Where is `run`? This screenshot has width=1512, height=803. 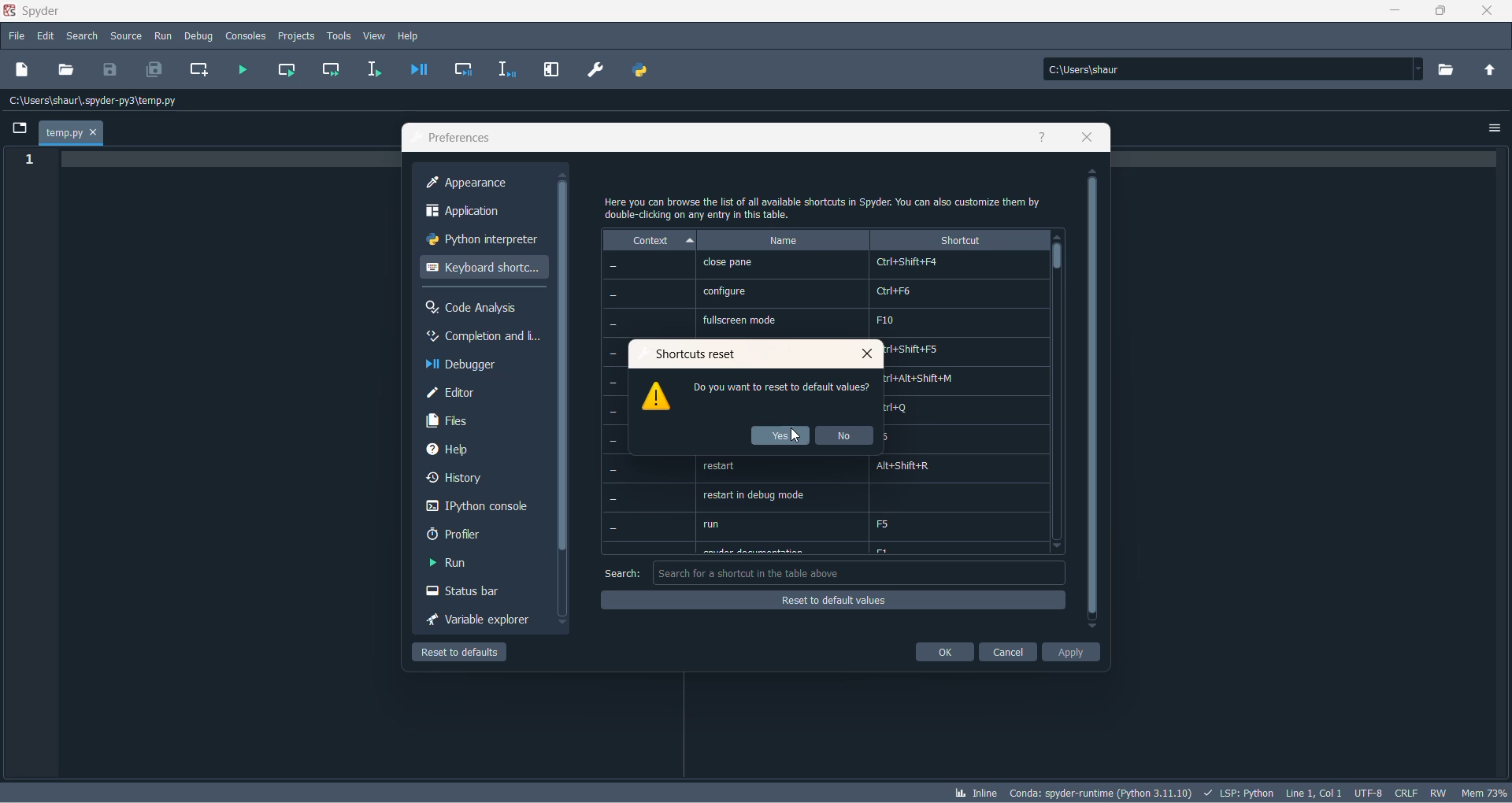
run is located at coordinates (160, 34).